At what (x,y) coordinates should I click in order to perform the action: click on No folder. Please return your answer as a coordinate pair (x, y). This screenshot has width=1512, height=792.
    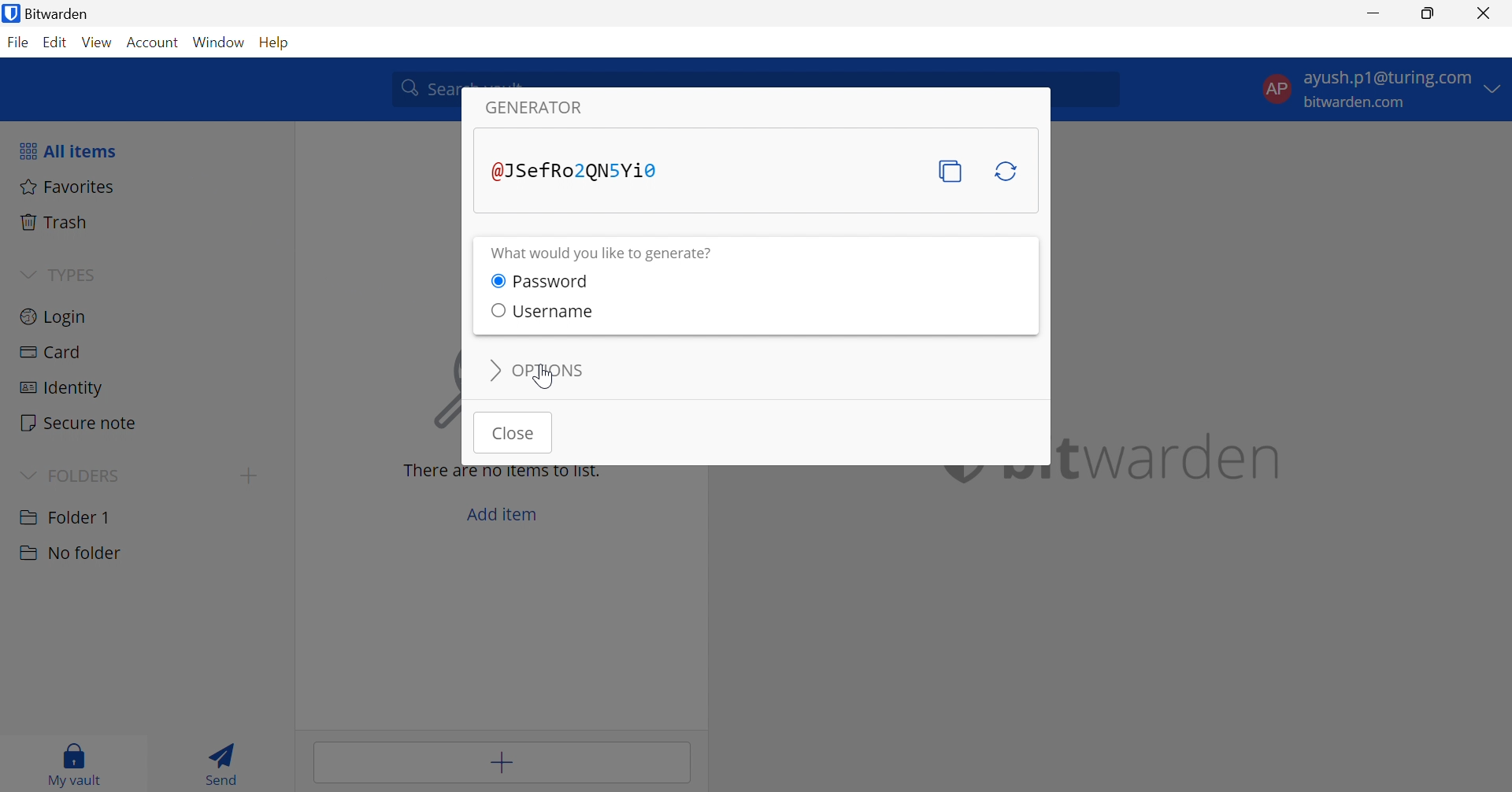
    Looking at the image, I should click on (70, 555).